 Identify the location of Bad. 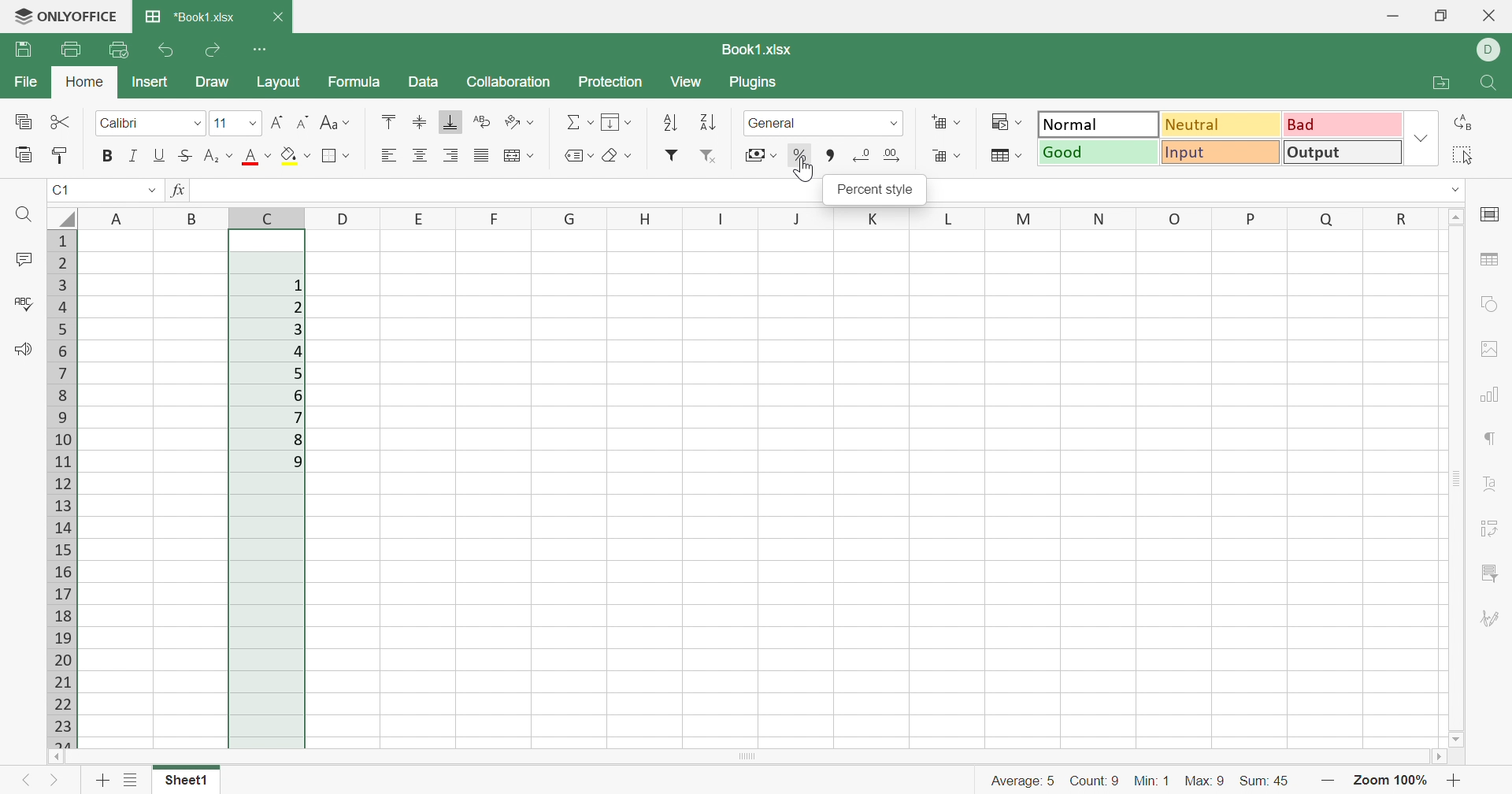
(1343, 124).